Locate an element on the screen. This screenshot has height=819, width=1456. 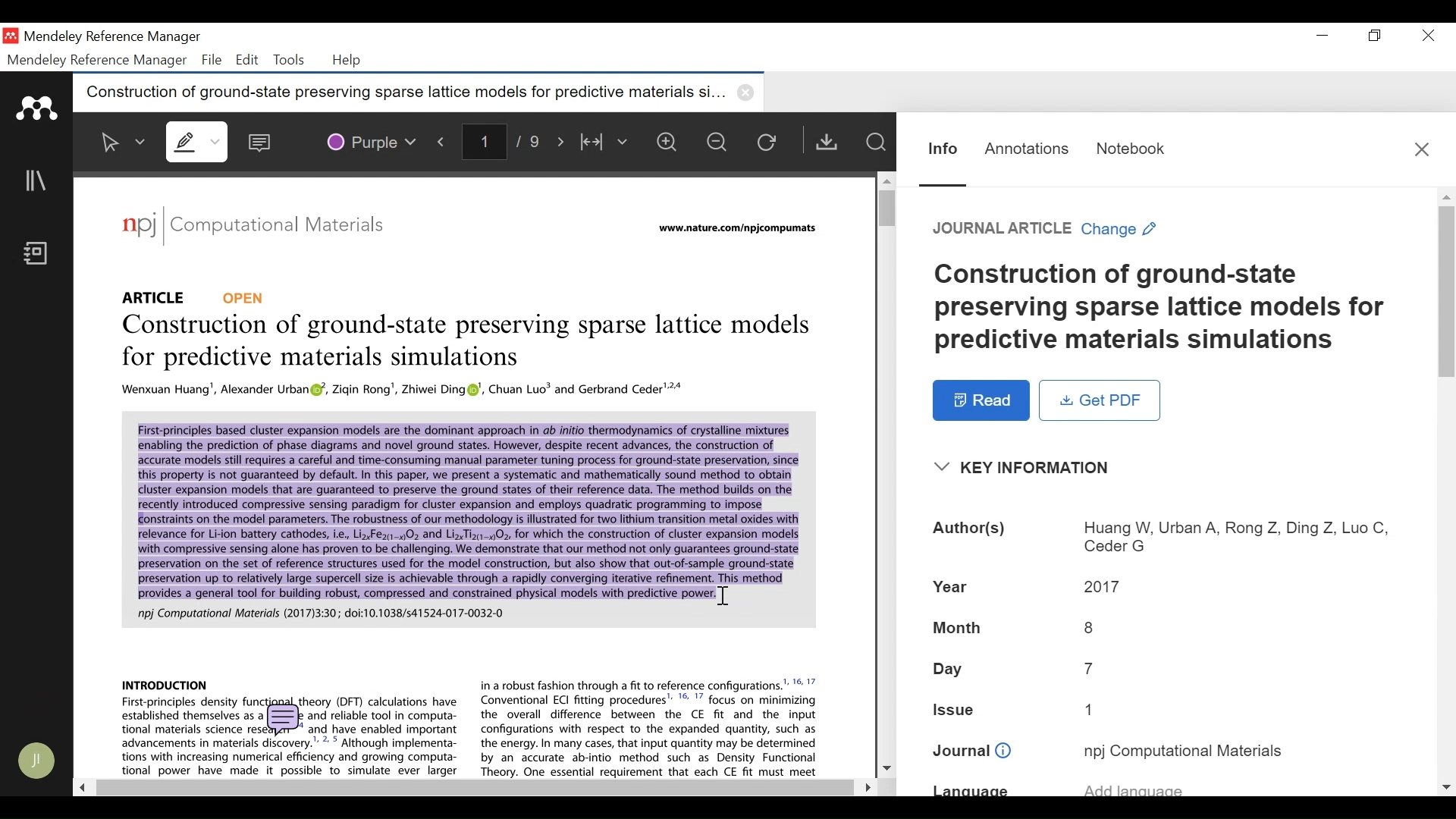
close is located at coordinates (748, 93).